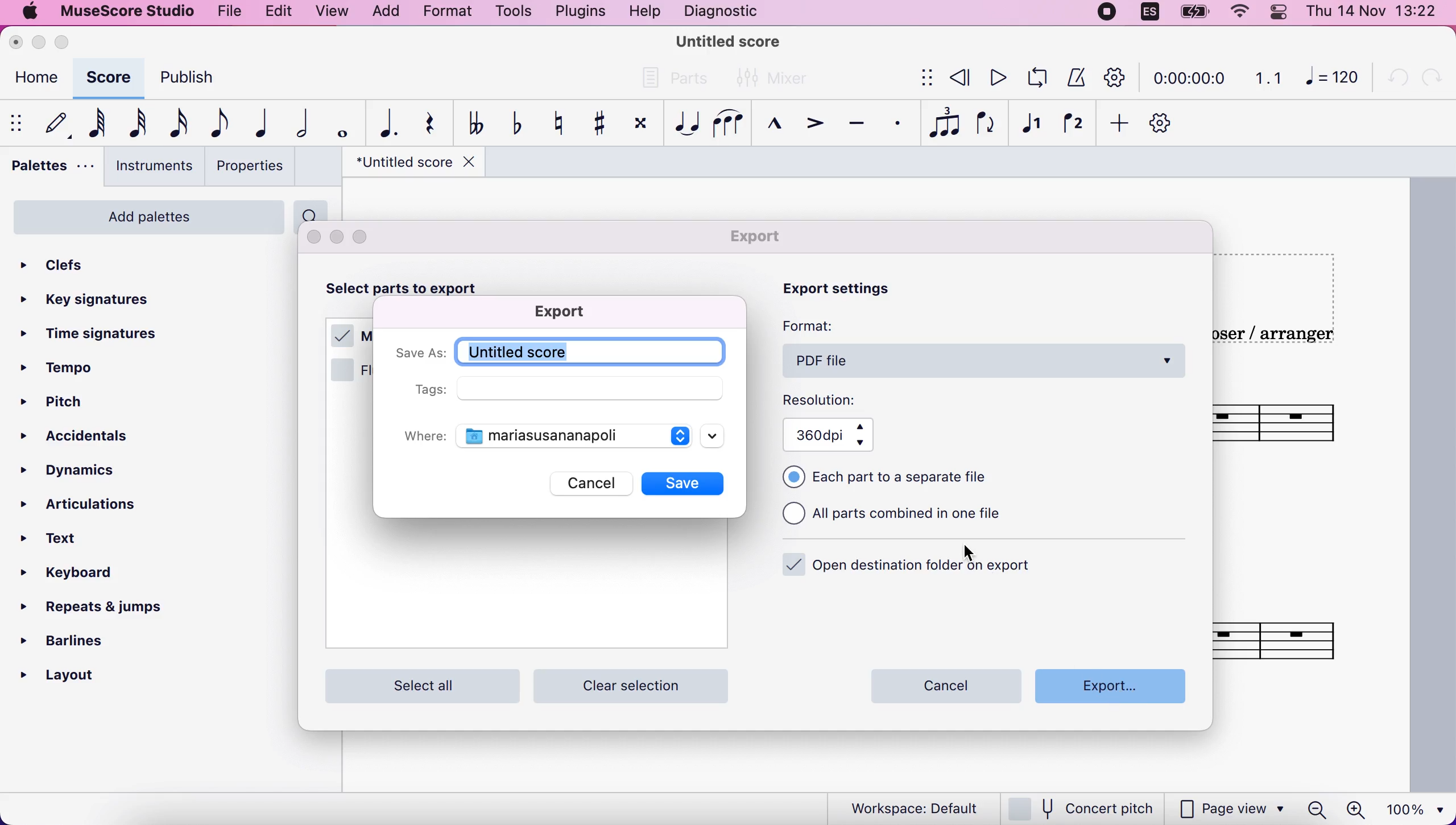 The height and width of the screenshot is (825, 1456). What do you see at coordinates (217, 124) in the screenshot?
I see `eight note` at bounding box center [217, 124].